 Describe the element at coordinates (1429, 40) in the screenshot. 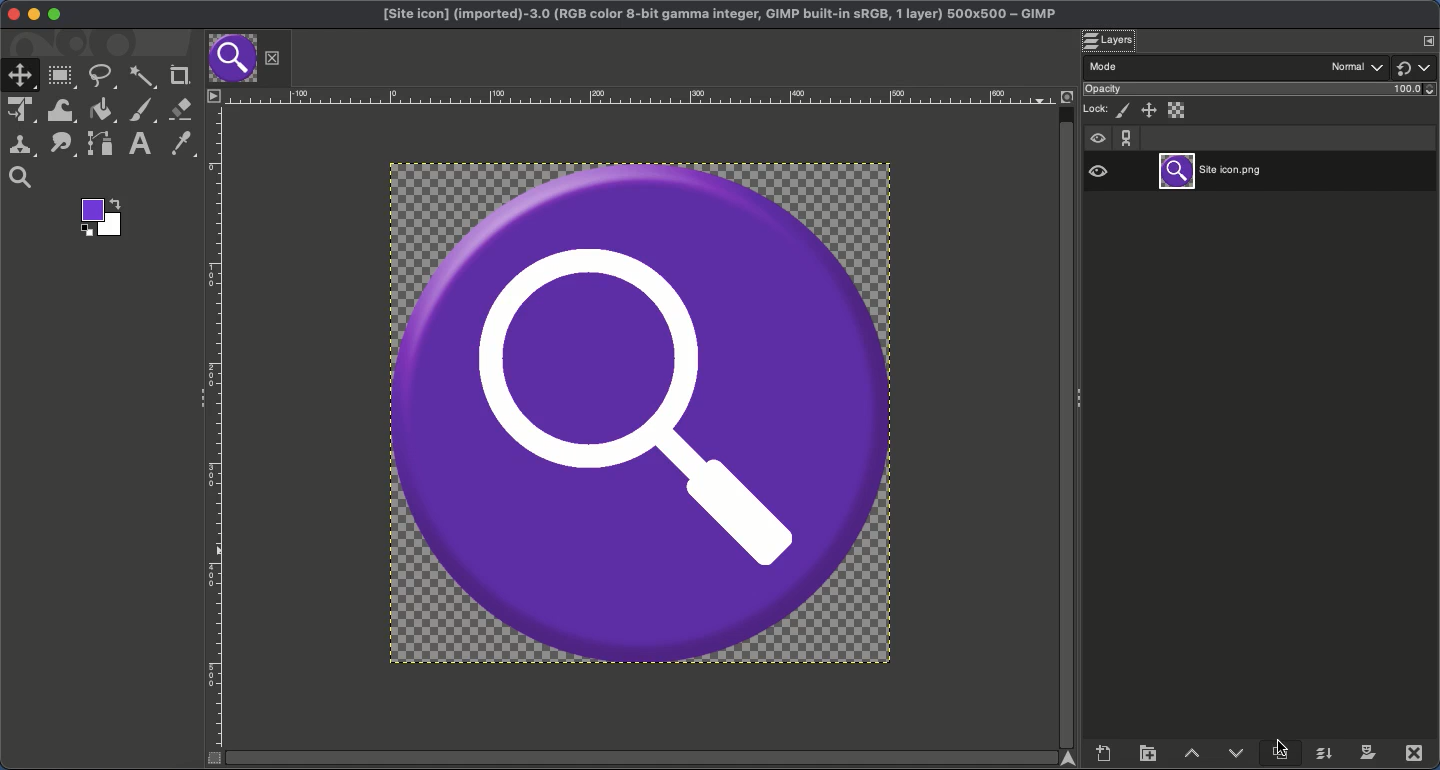

I see `Menu` at that location.